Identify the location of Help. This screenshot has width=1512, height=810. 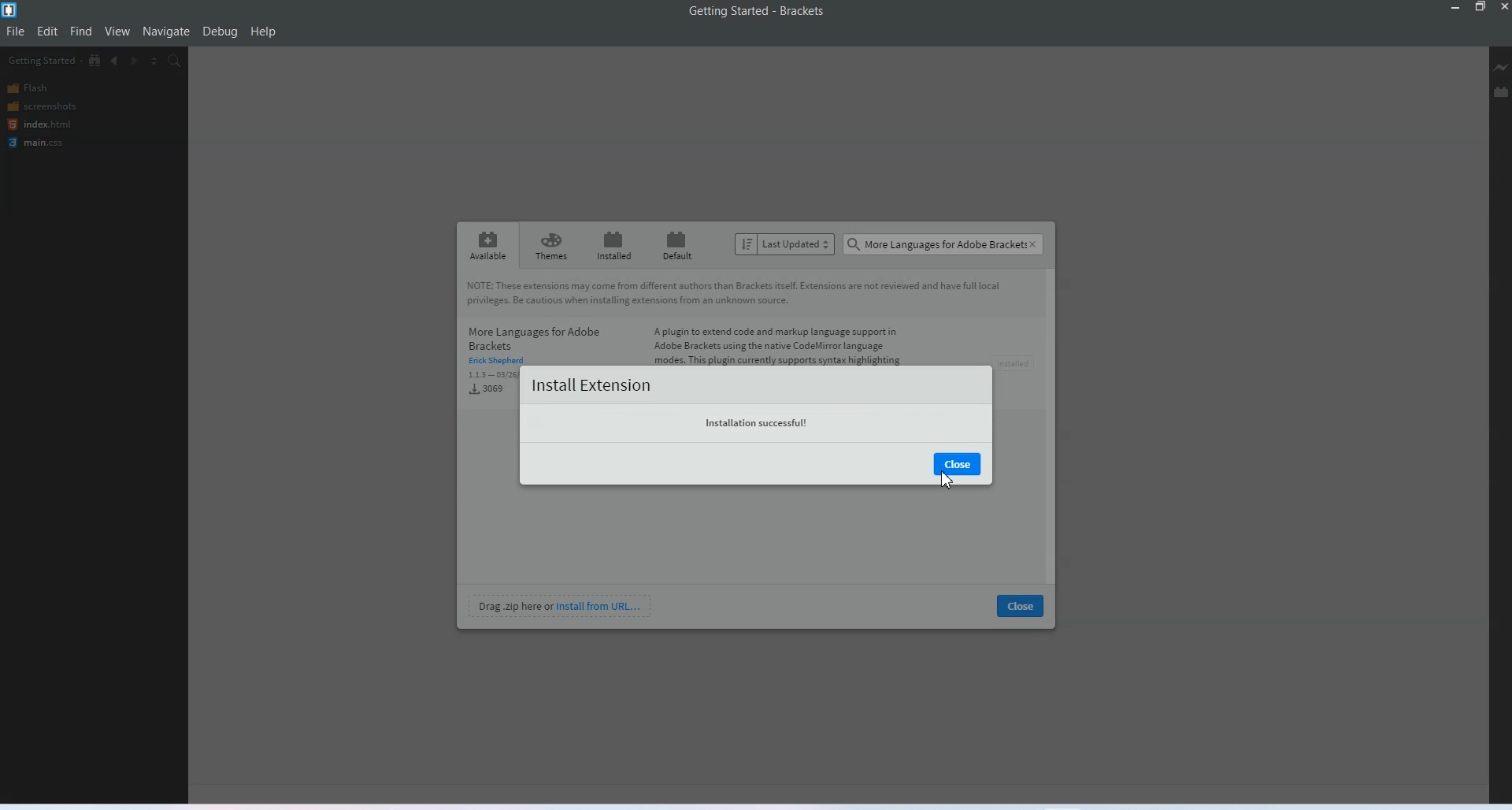
(263, 32).